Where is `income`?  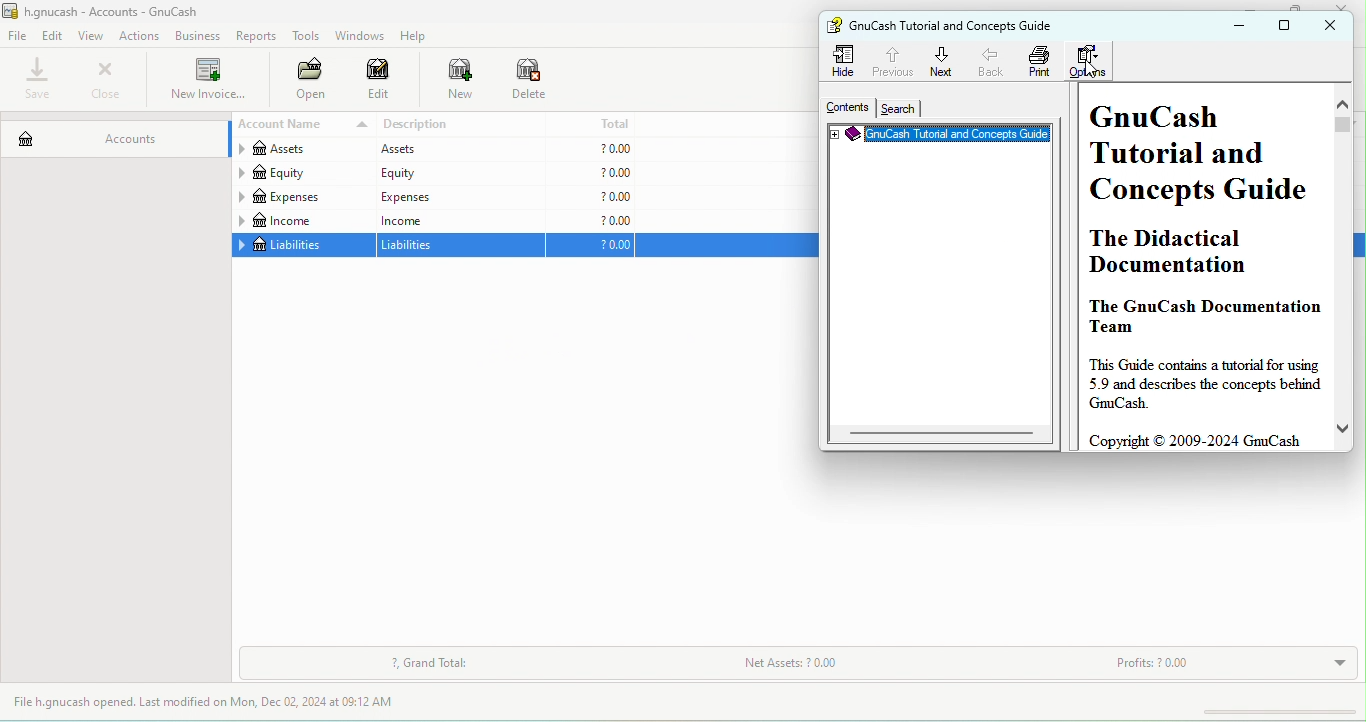 income is located at coordinates (302, 221).